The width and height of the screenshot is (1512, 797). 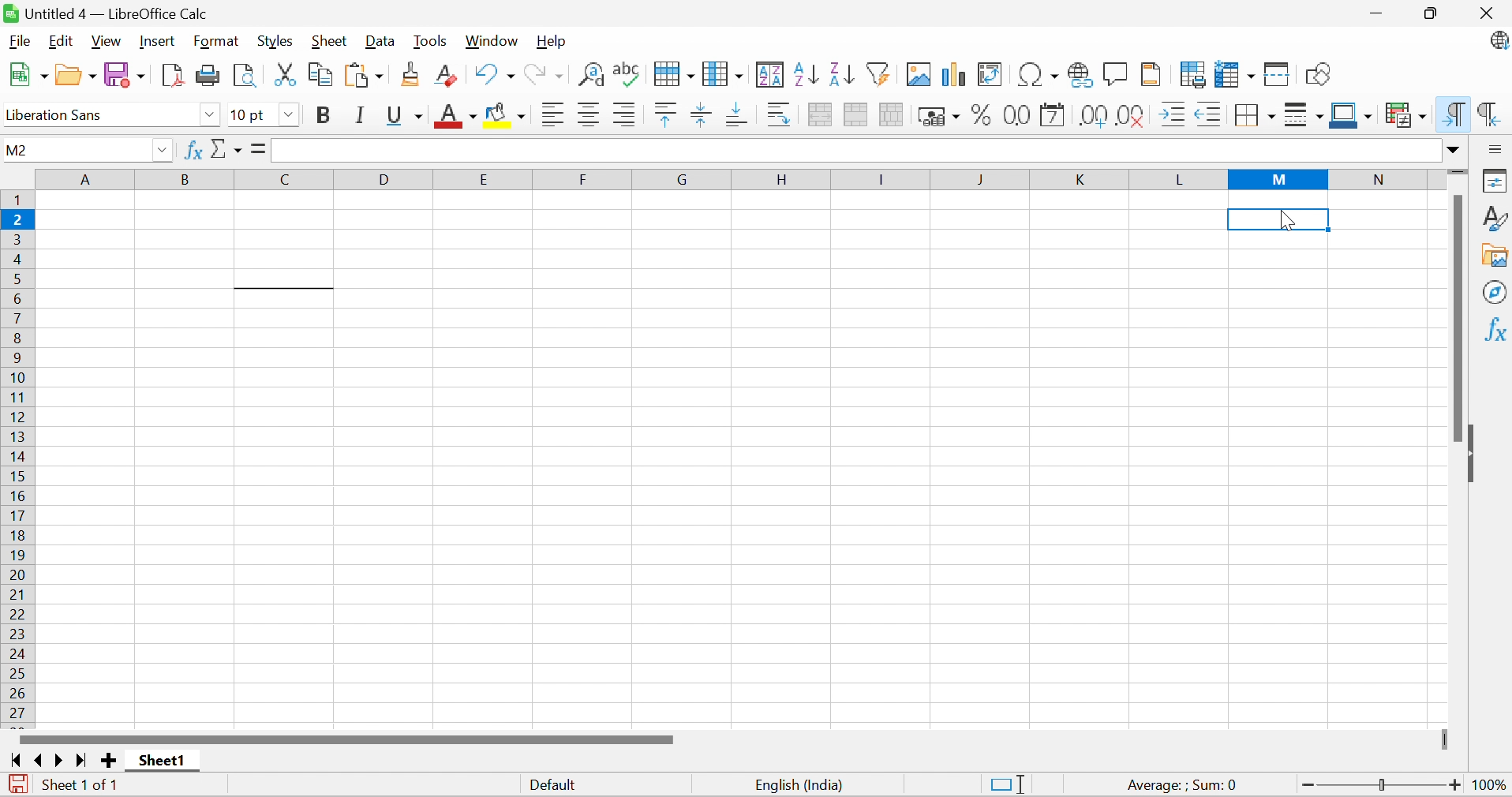 I want to click on Drop down, so click(x=210, y=115).